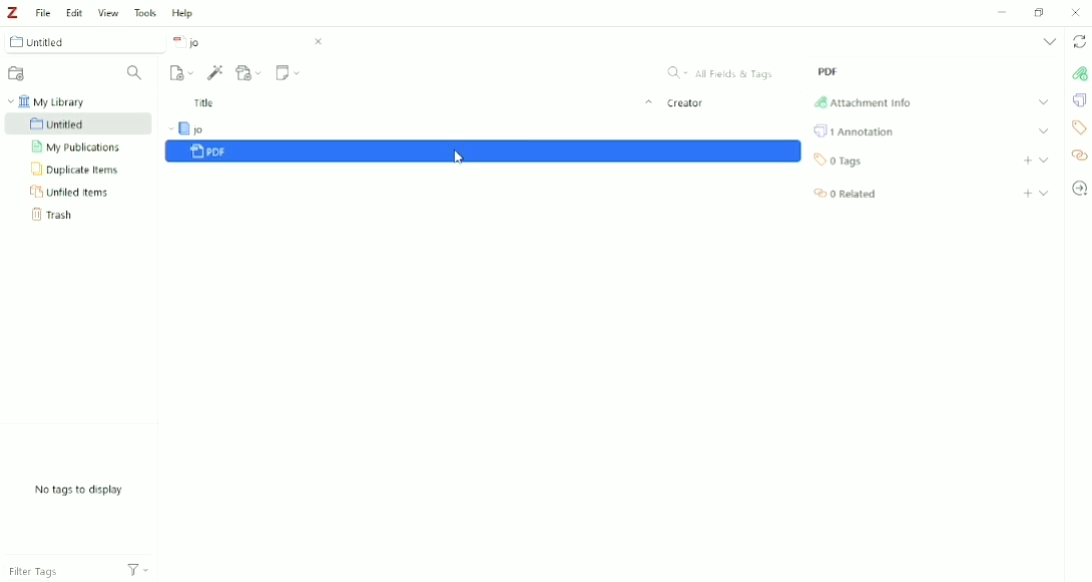 The image size is (1092, 582). I want to click on Untitled, so click(83, 42).